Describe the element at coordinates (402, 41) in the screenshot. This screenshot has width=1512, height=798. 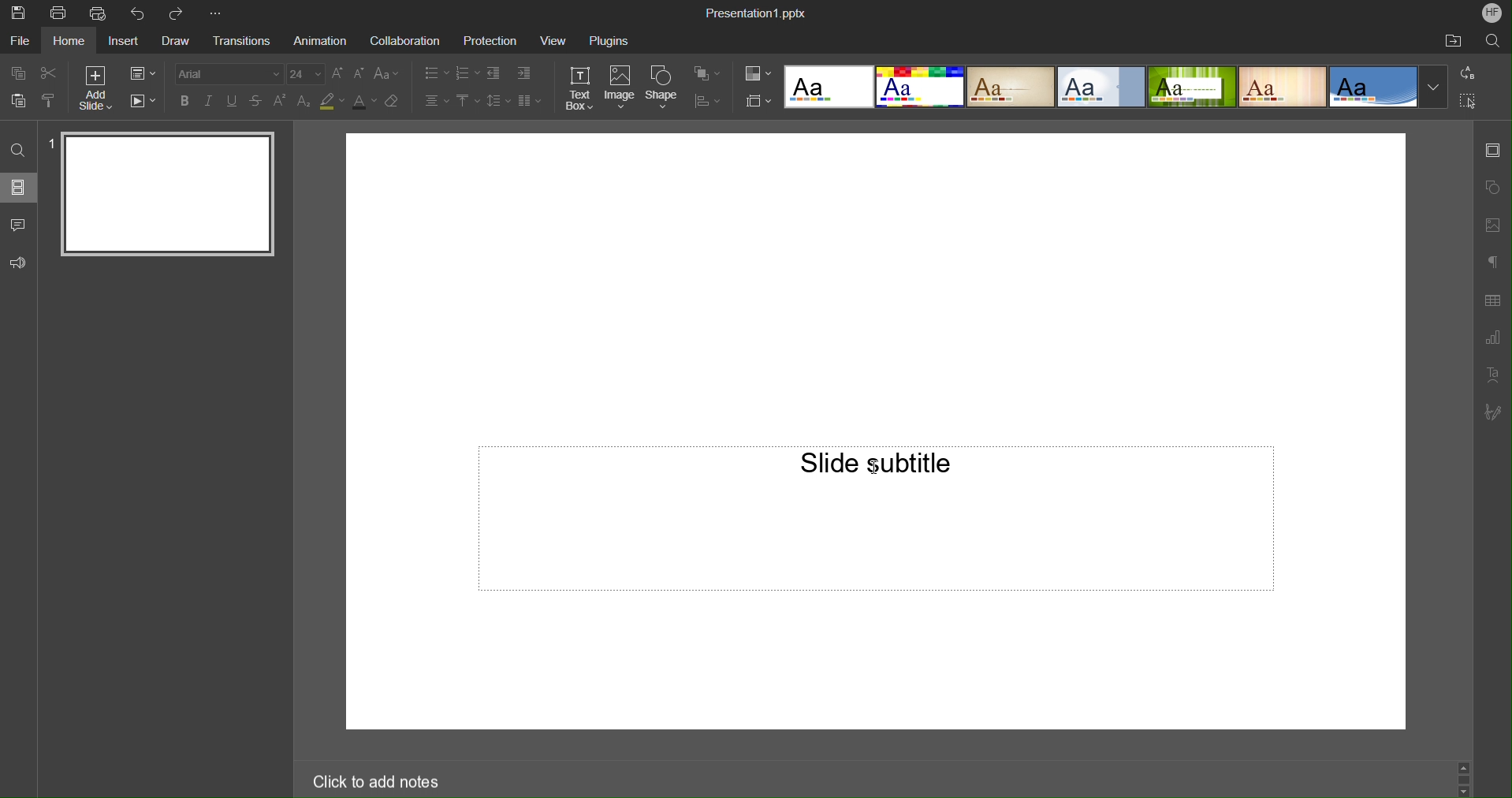
I see `Collaboration` at that location.